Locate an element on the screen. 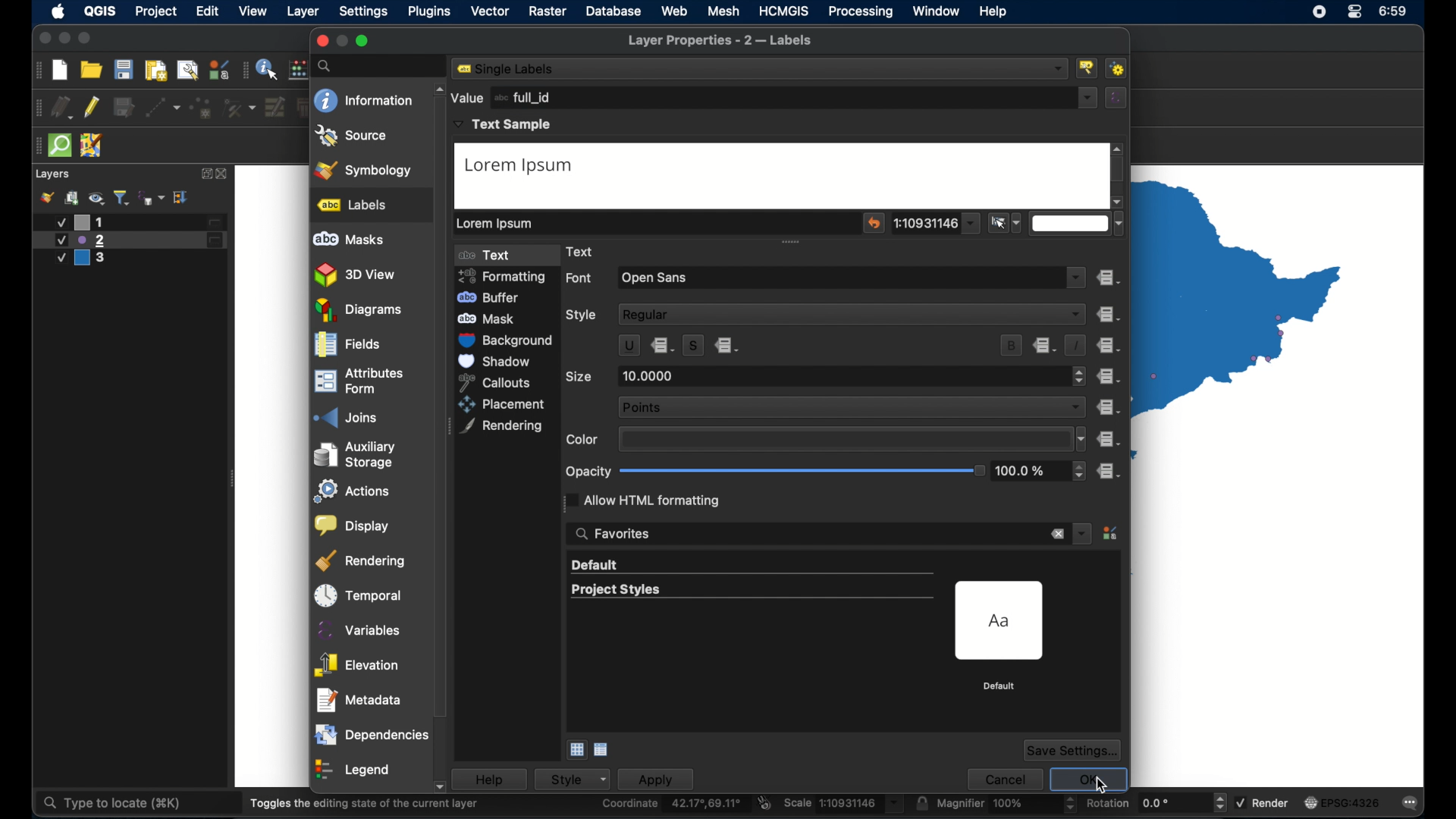  abc masks is located at coordinates (350, 240).